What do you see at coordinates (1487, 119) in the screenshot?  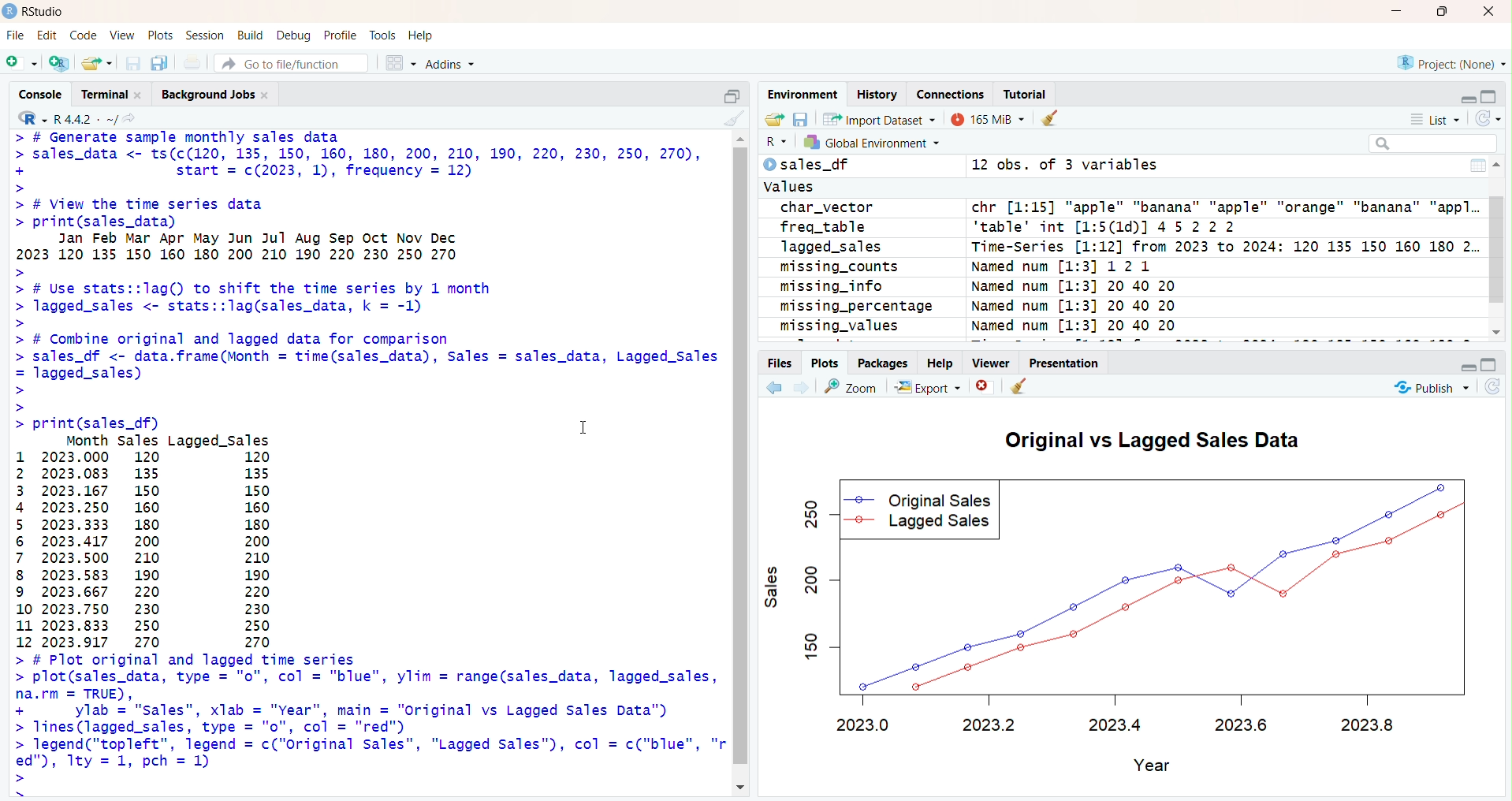 I see `refresh the list of object` at bounding box center [1487, 119].